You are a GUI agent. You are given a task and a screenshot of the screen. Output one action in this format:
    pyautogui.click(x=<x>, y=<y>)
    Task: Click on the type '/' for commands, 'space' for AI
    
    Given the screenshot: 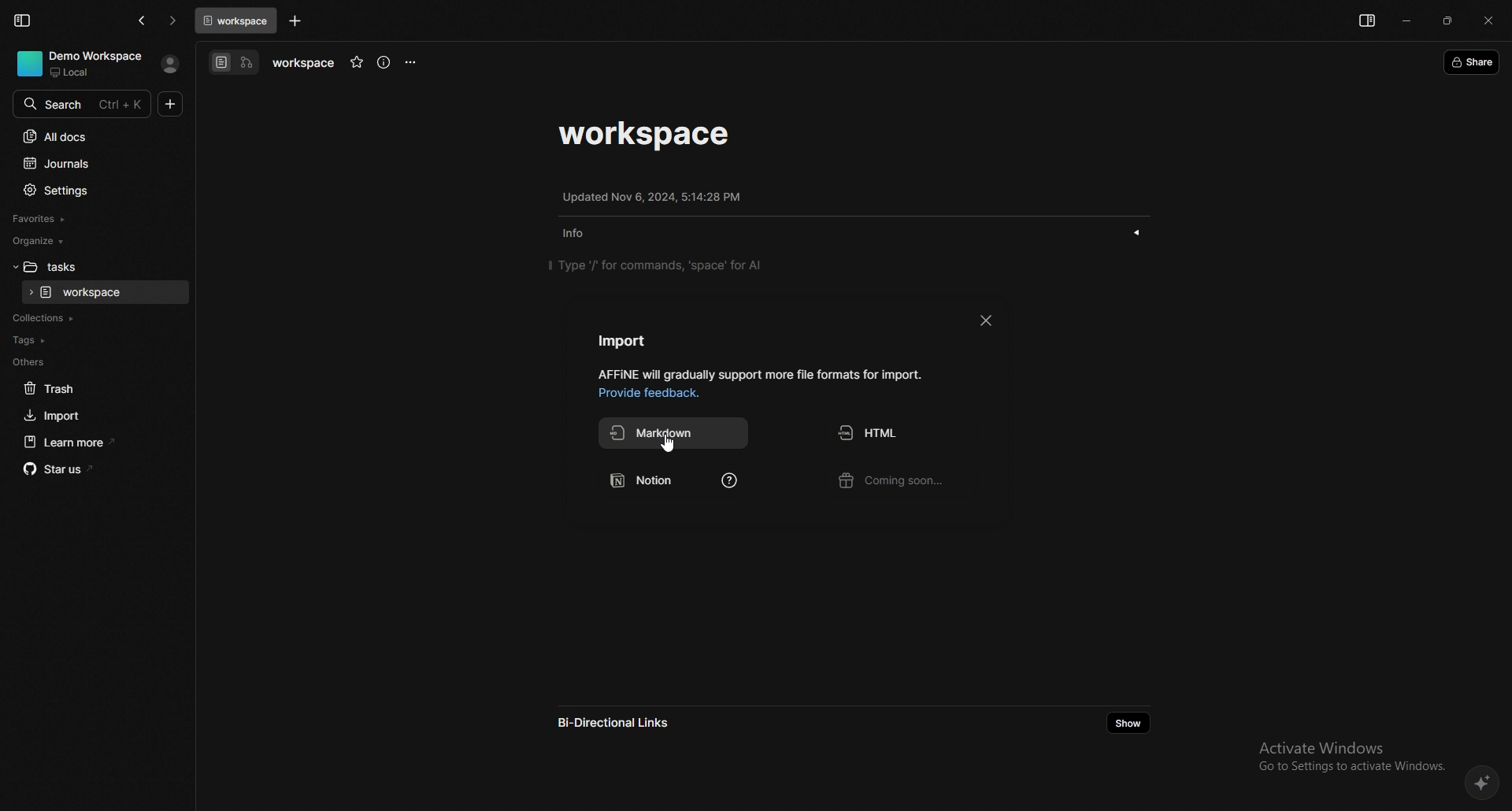 What is the action you would take?
    pyautogui.click(x=657, y=265)
    